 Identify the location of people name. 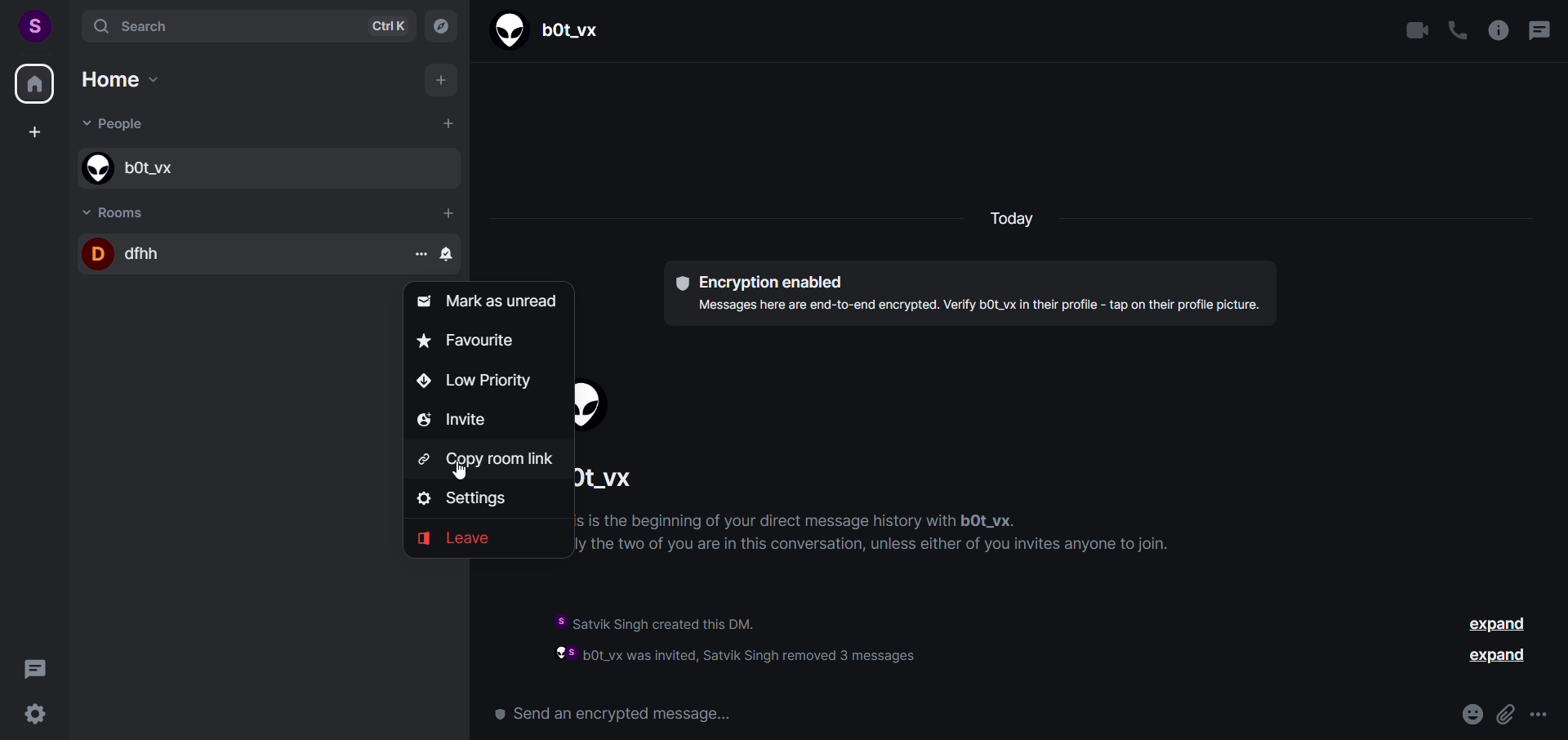
(629, 480).